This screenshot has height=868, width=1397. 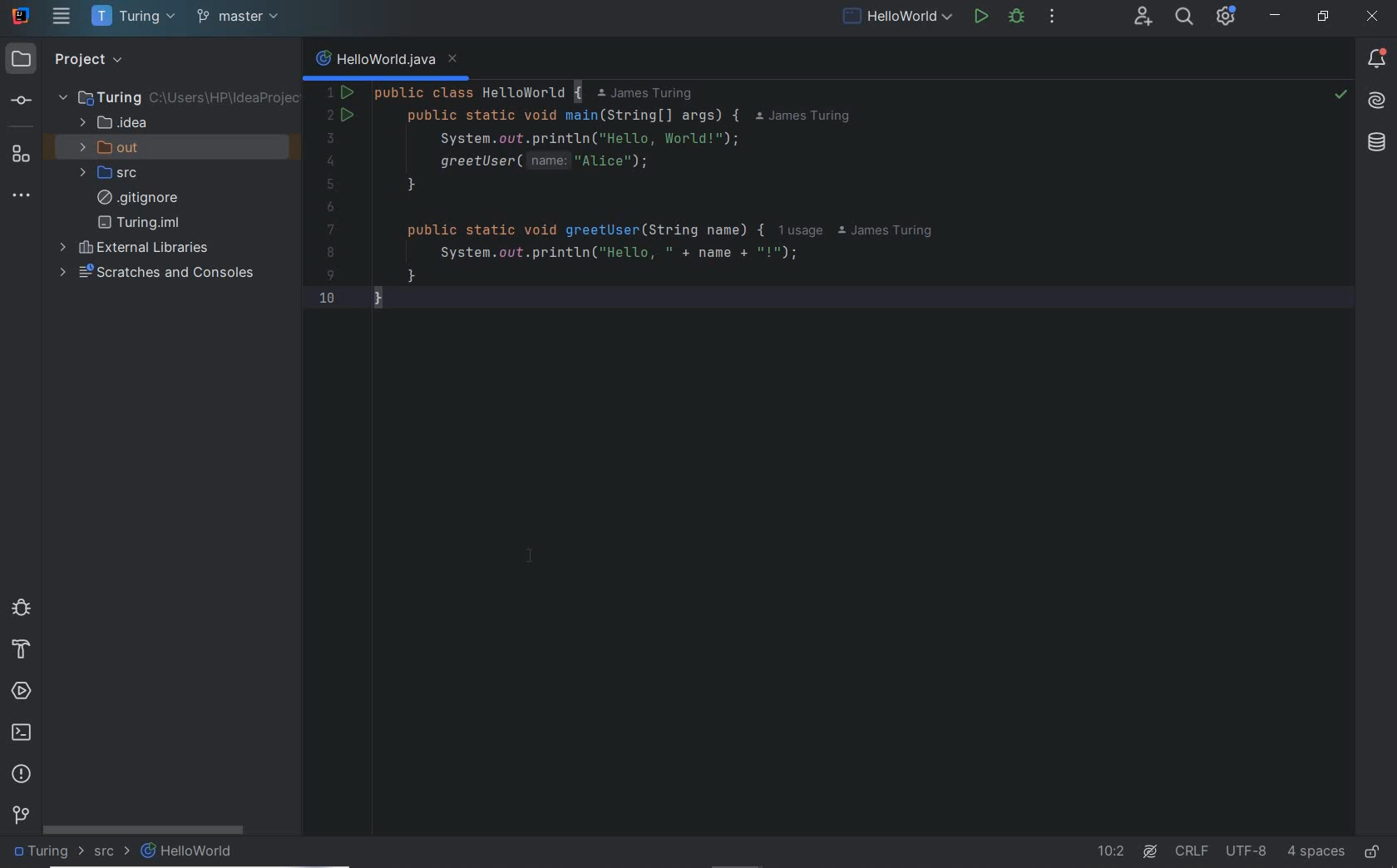 I want to click on RESTORE DOWN, so click(x=1324, y=18).